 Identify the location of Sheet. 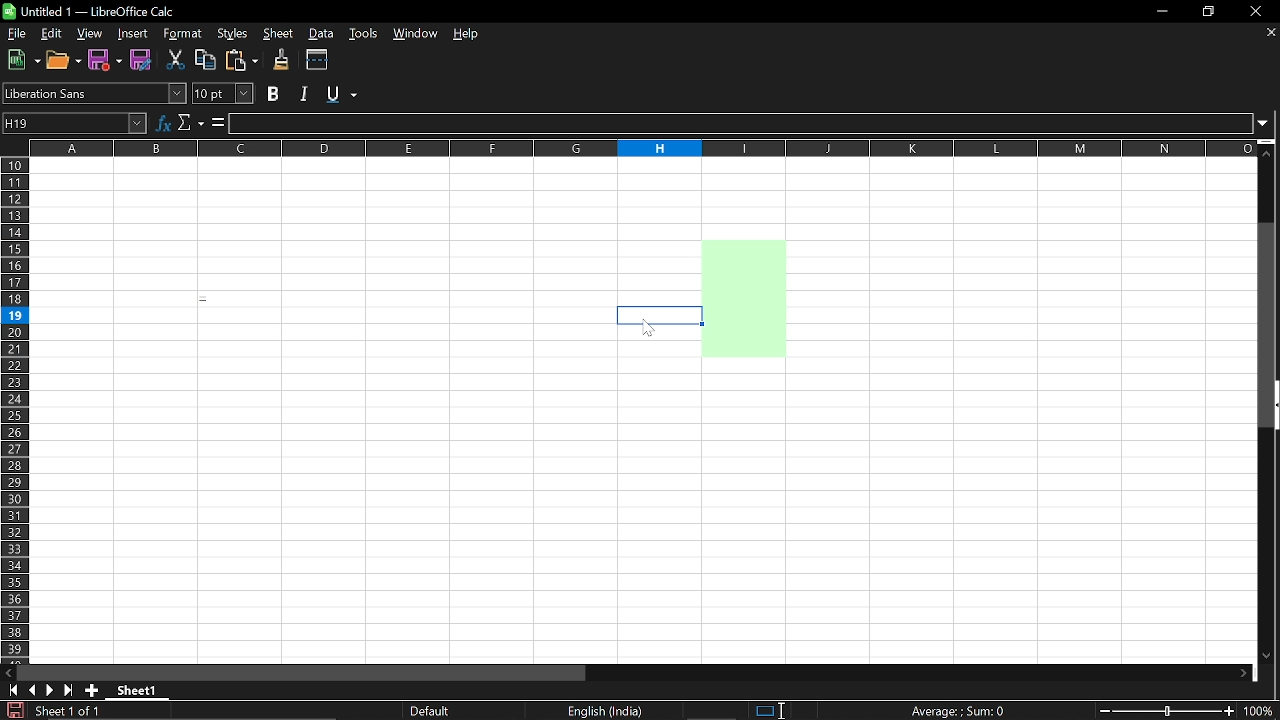
(277, 34).